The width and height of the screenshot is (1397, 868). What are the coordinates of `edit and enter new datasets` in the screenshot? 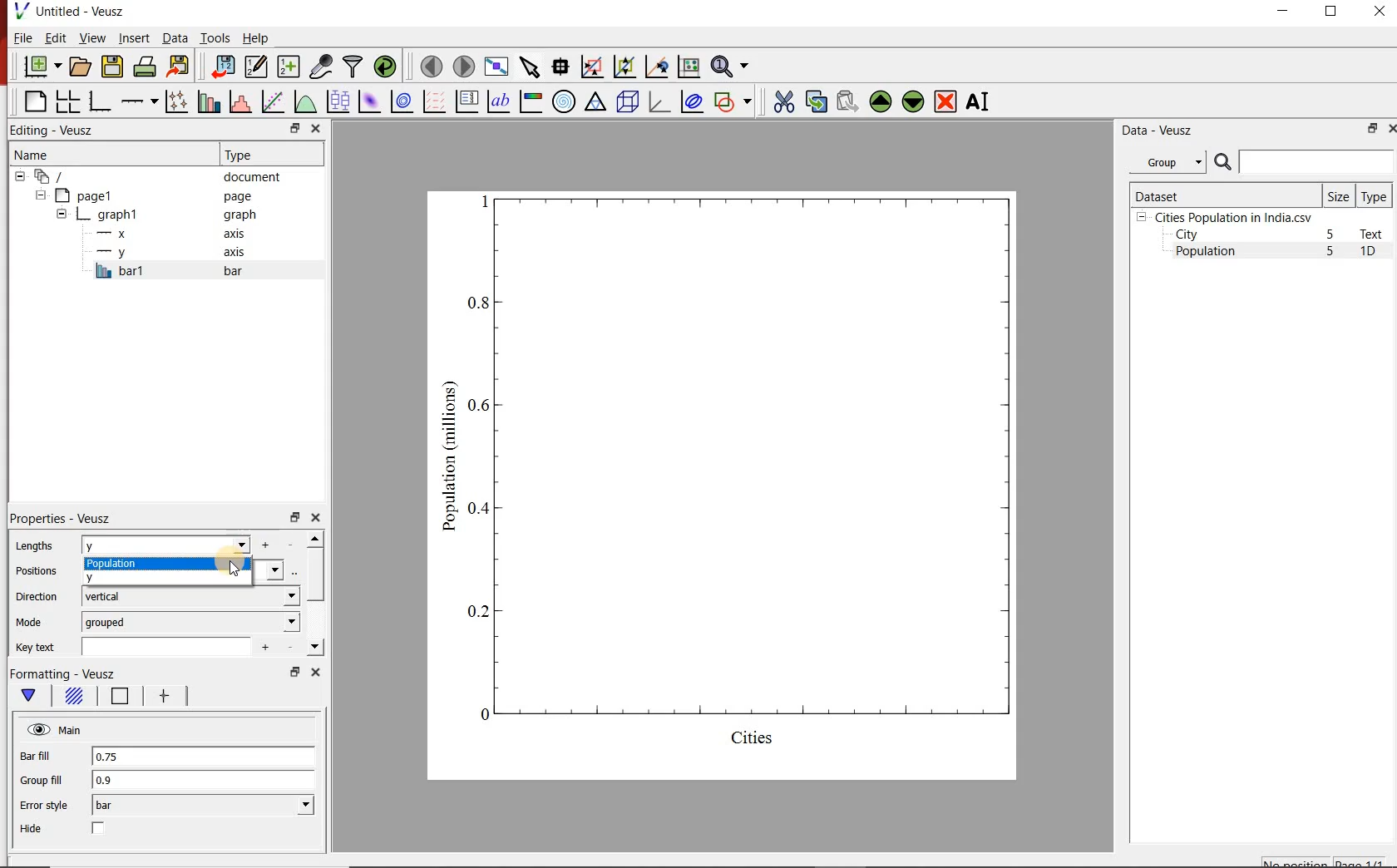 It's located at (254, 67).